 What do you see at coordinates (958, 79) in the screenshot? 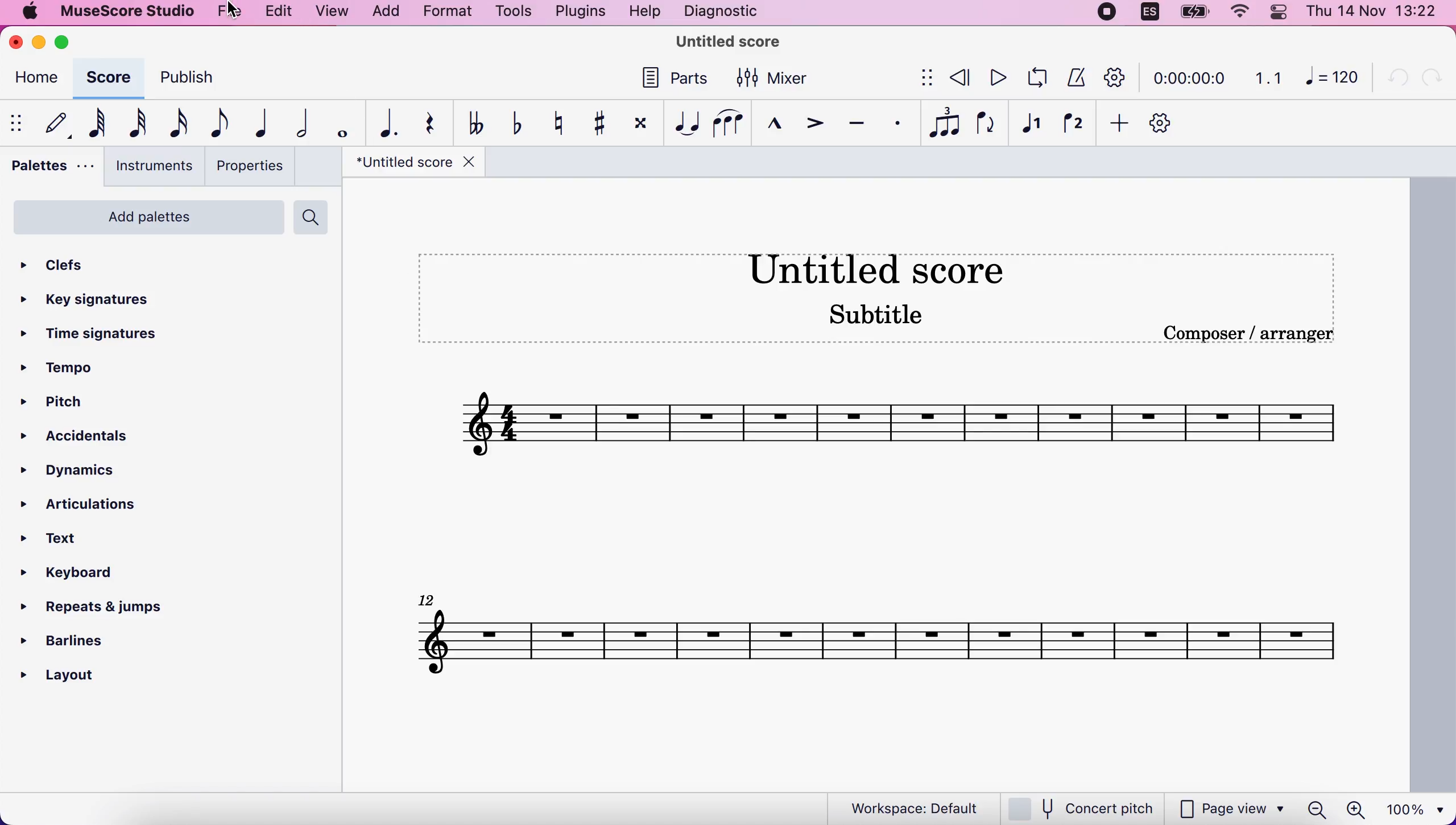
I see `review` at bounding box center [958, 79].